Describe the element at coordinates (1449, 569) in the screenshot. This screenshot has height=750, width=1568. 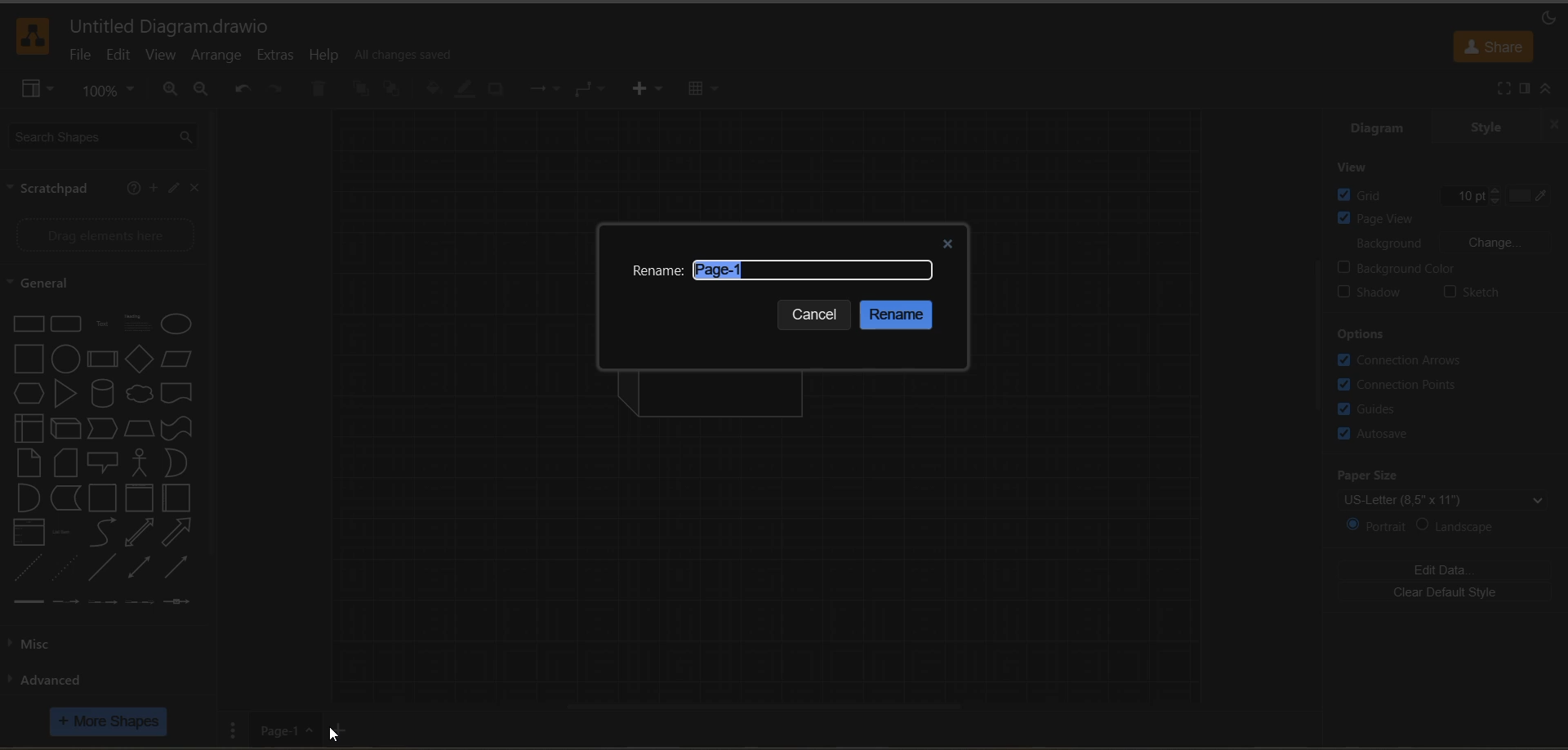
I see `edit data` at that location.